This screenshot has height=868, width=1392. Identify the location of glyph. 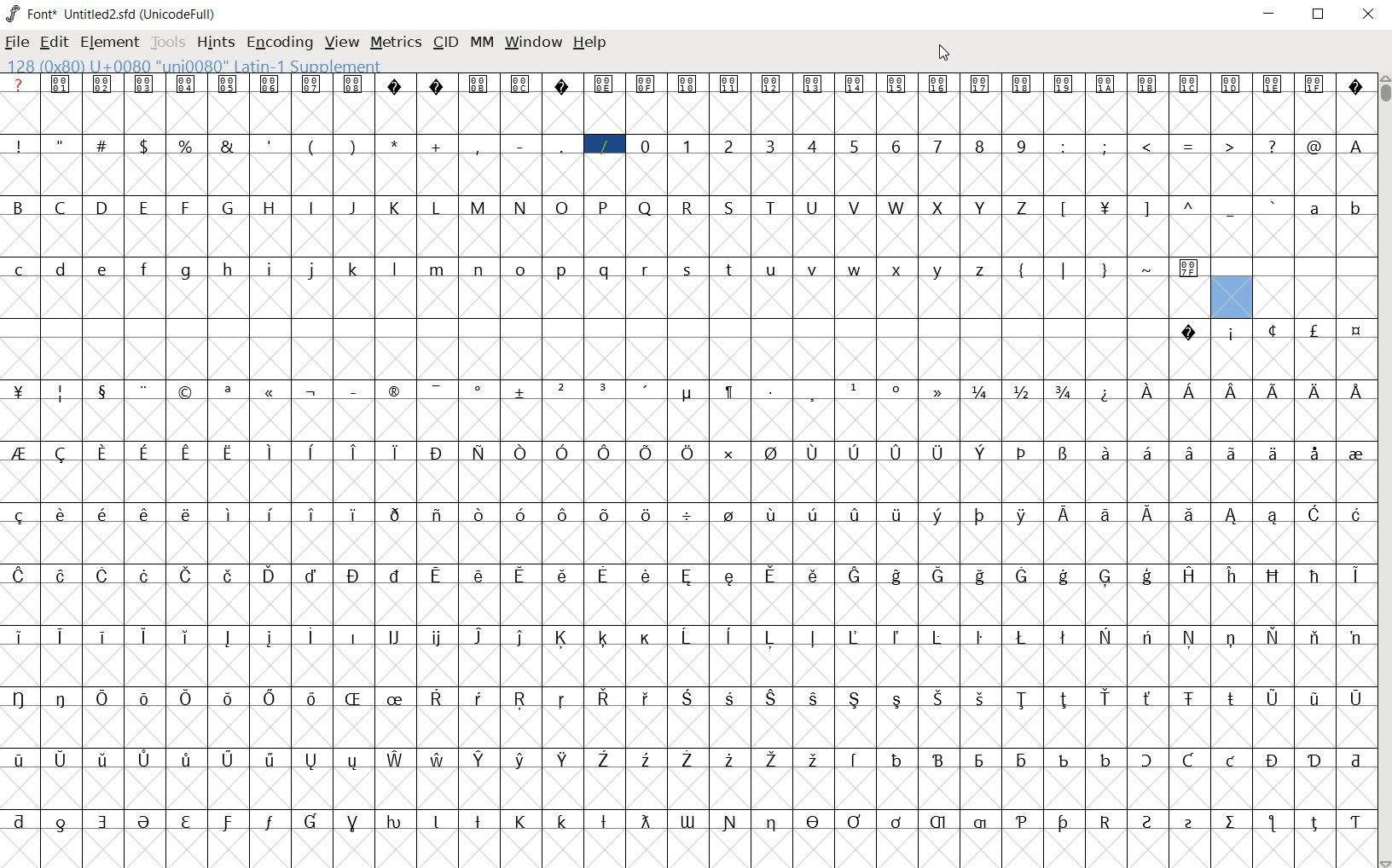
(687, 209).